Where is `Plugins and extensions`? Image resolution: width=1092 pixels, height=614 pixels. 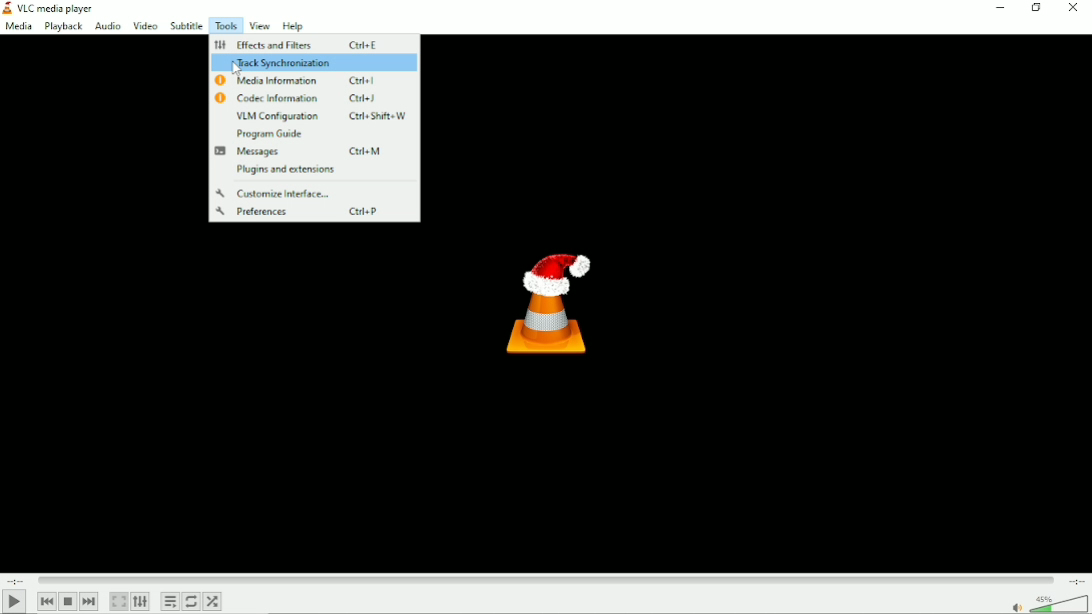
Plugins and extensions is located at coordinates (281, 171).